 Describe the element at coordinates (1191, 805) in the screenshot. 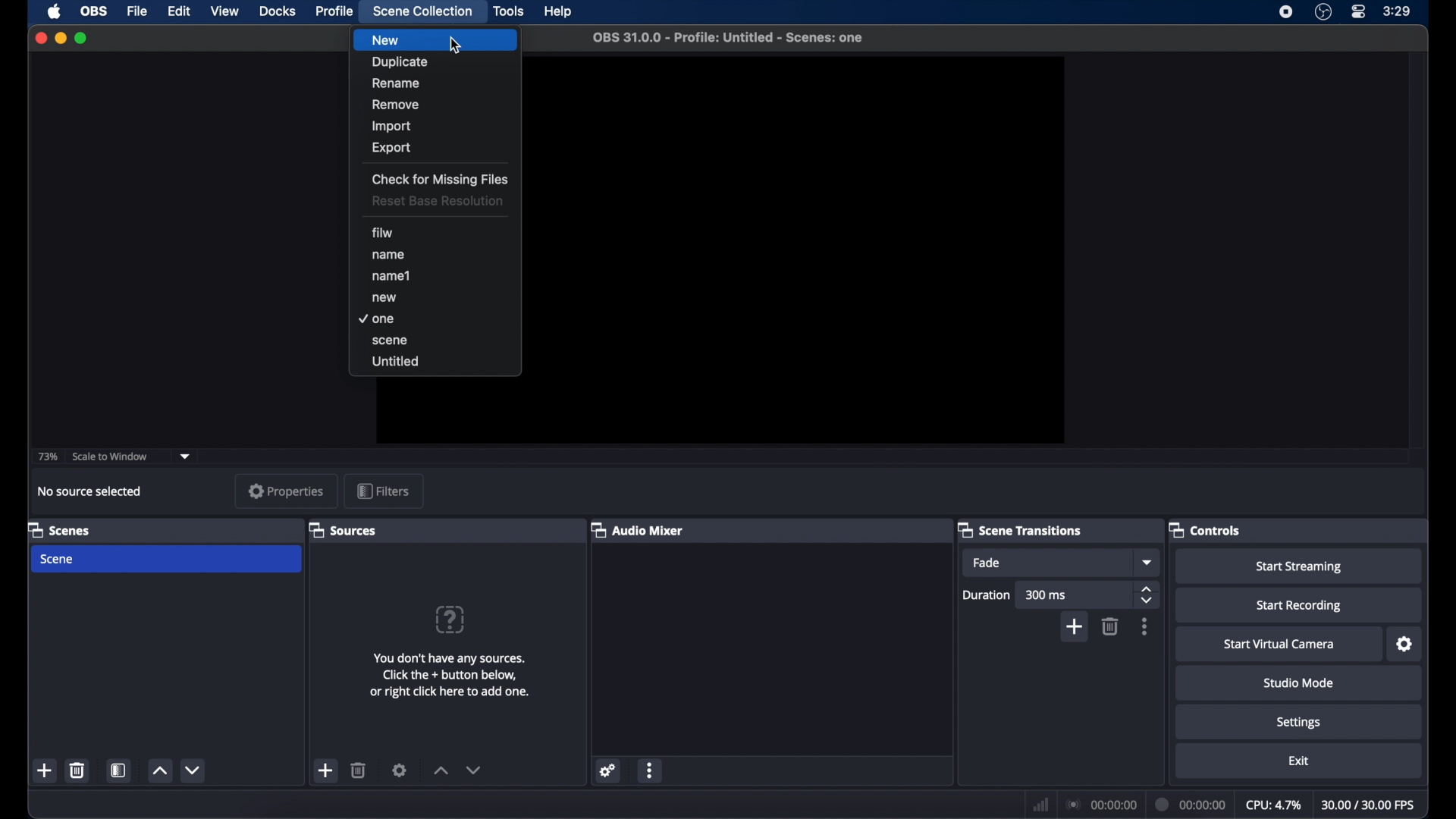

I see `duration` at that location.